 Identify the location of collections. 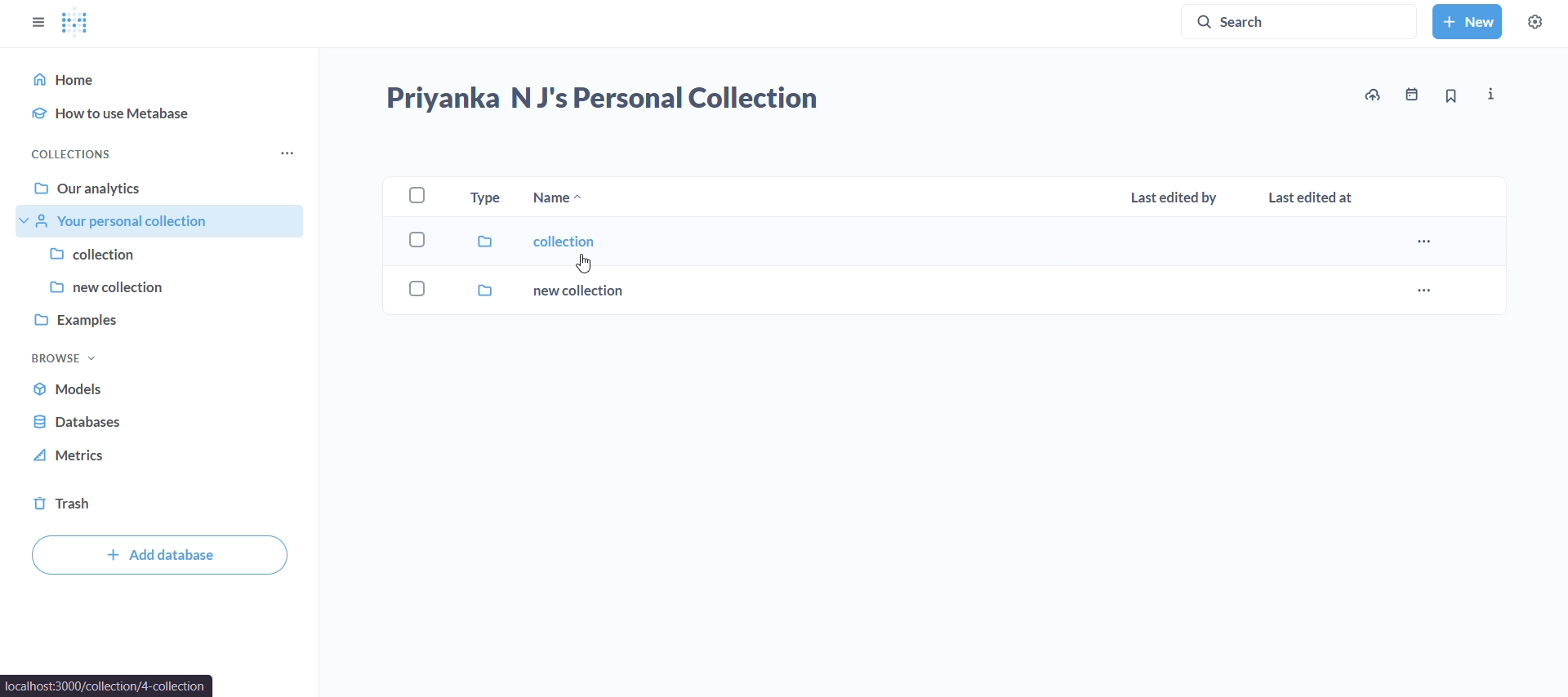
(75, 153).